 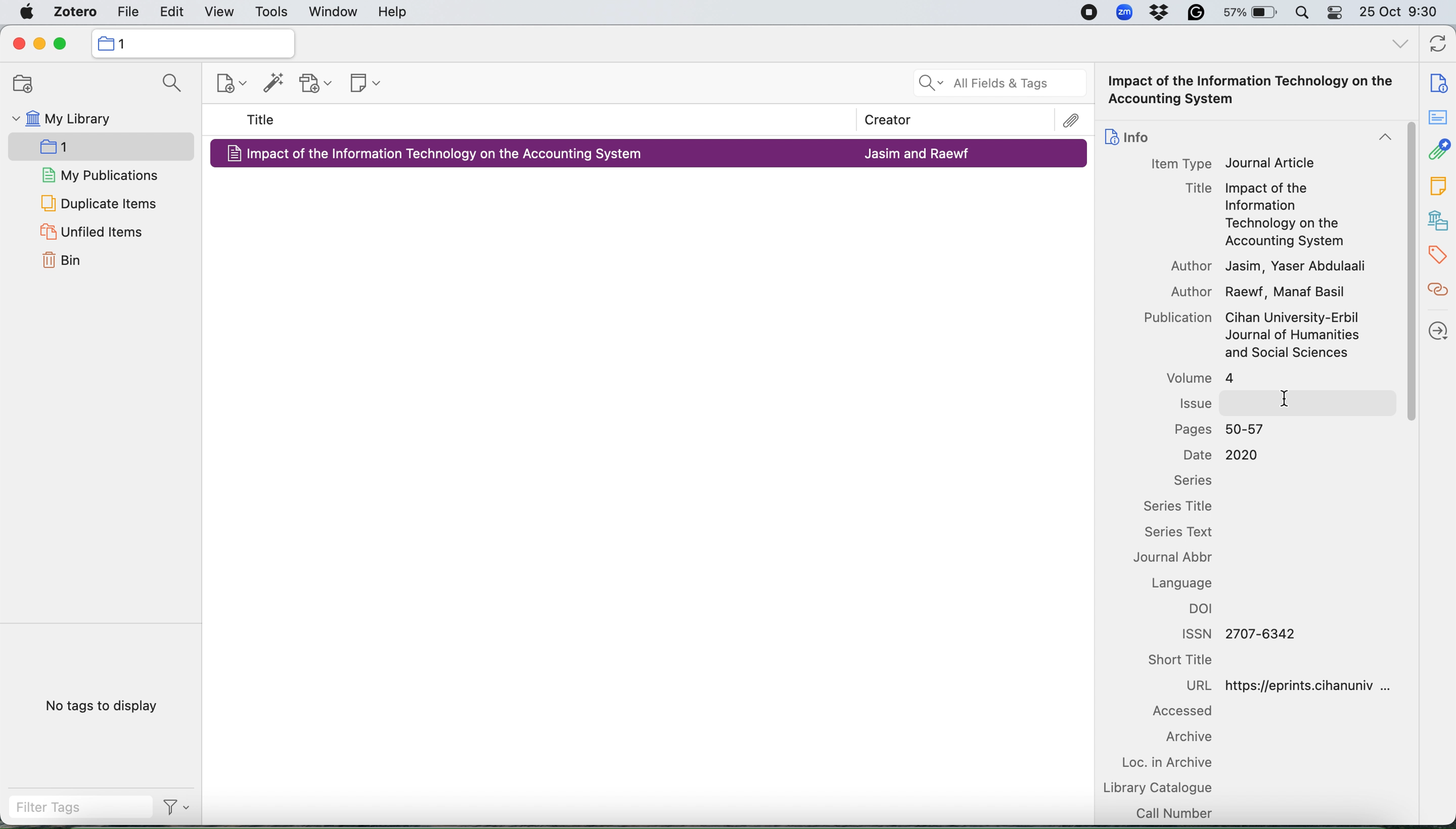 What do you see at coordinates (97, 174) in the screenshot?
I see `my publications` at bounding box center [97, 174].